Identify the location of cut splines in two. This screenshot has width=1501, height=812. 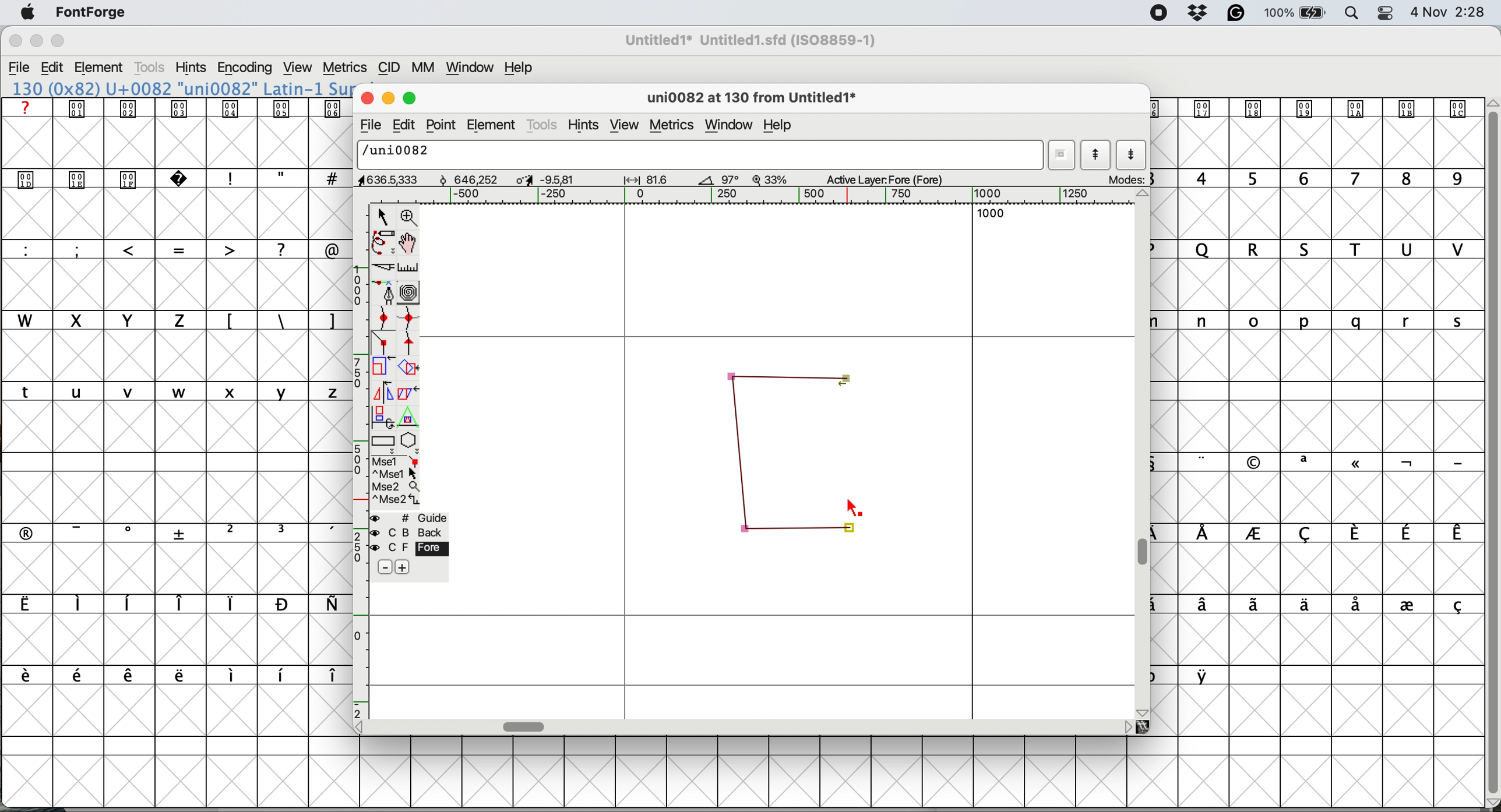
(386, 267).